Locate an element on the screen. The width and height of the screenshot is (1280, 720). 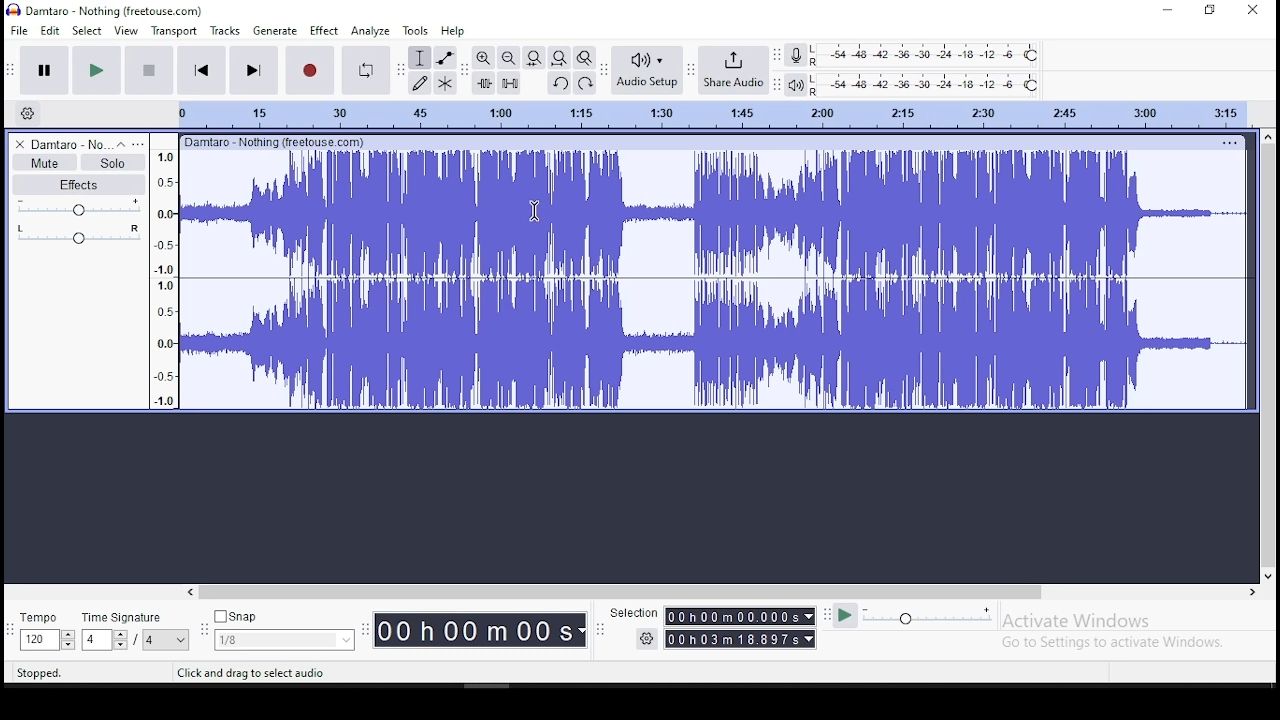
snap is located at coordinates (283, 628).